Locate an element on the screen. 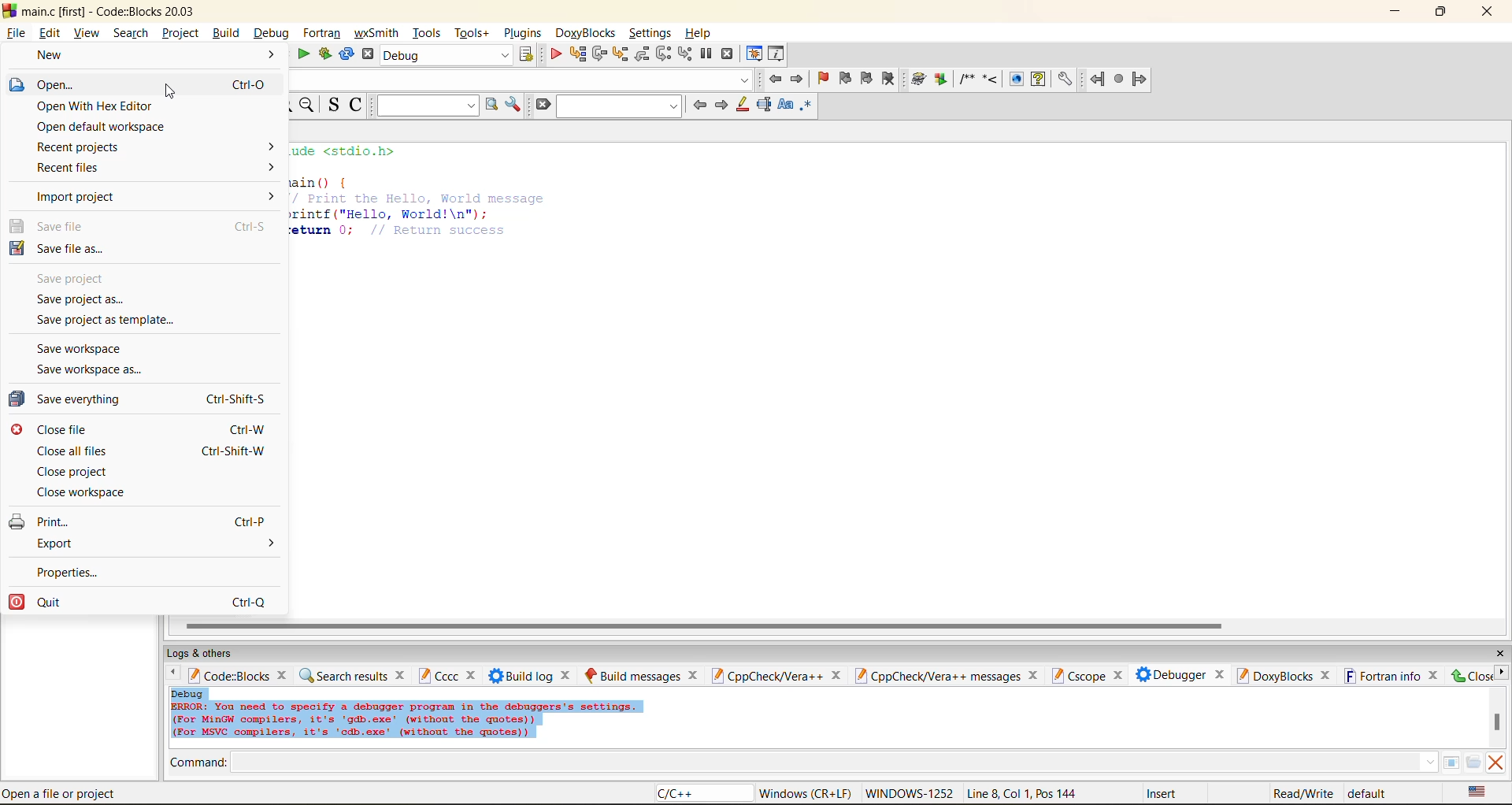 The width and height of the screenshot is (1512, 805). stop debugger is located at coordinates (728, 54).